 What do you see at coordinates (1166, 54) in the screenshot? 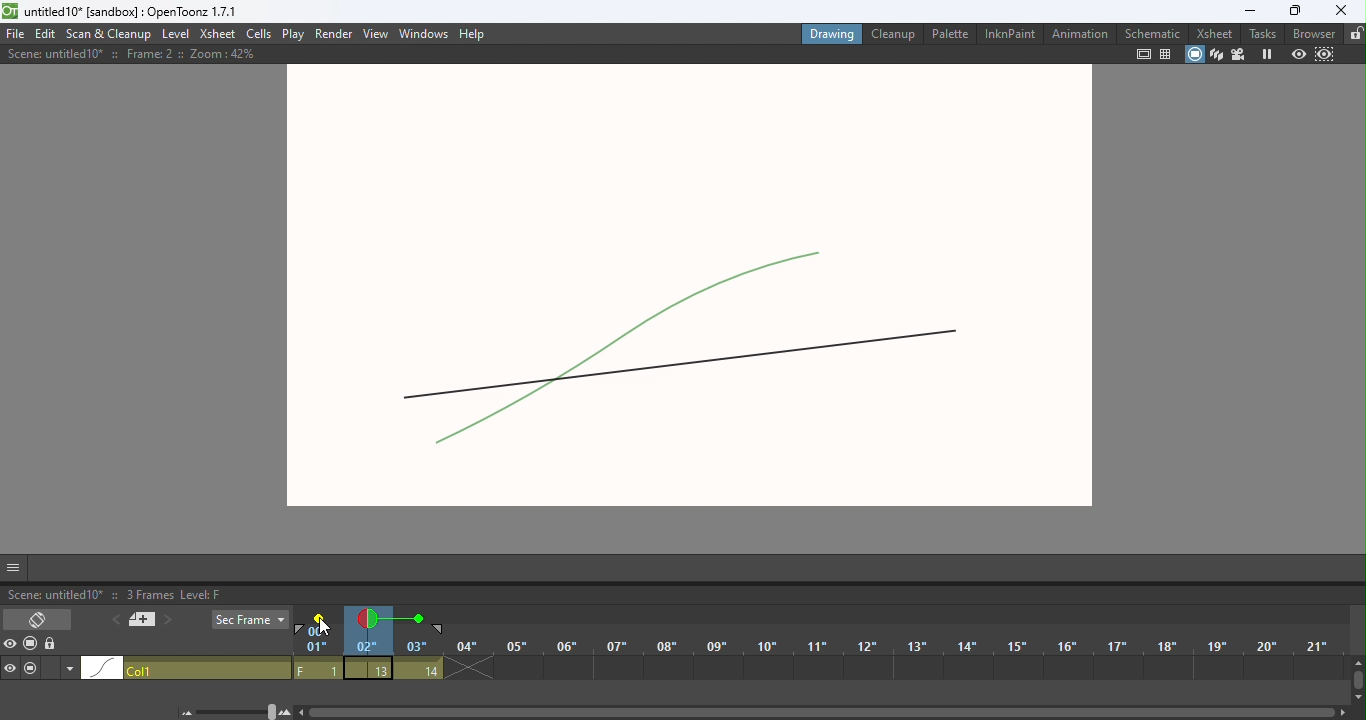
I see `field guide` at bounding box center [1166, 54].